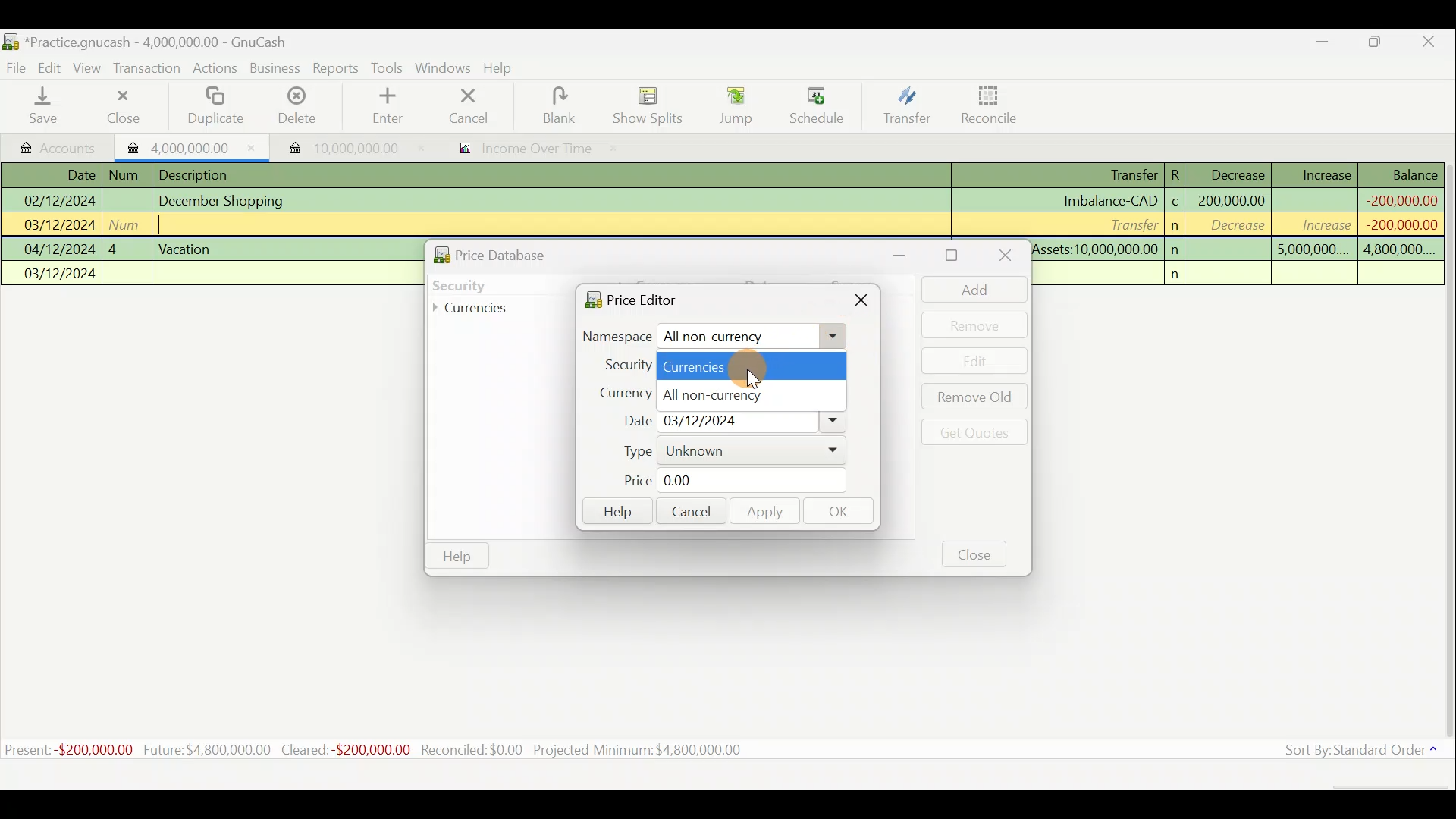 The height and width of the screenshot is (819, 1456). I want to click on Price database, so click(524, 253).